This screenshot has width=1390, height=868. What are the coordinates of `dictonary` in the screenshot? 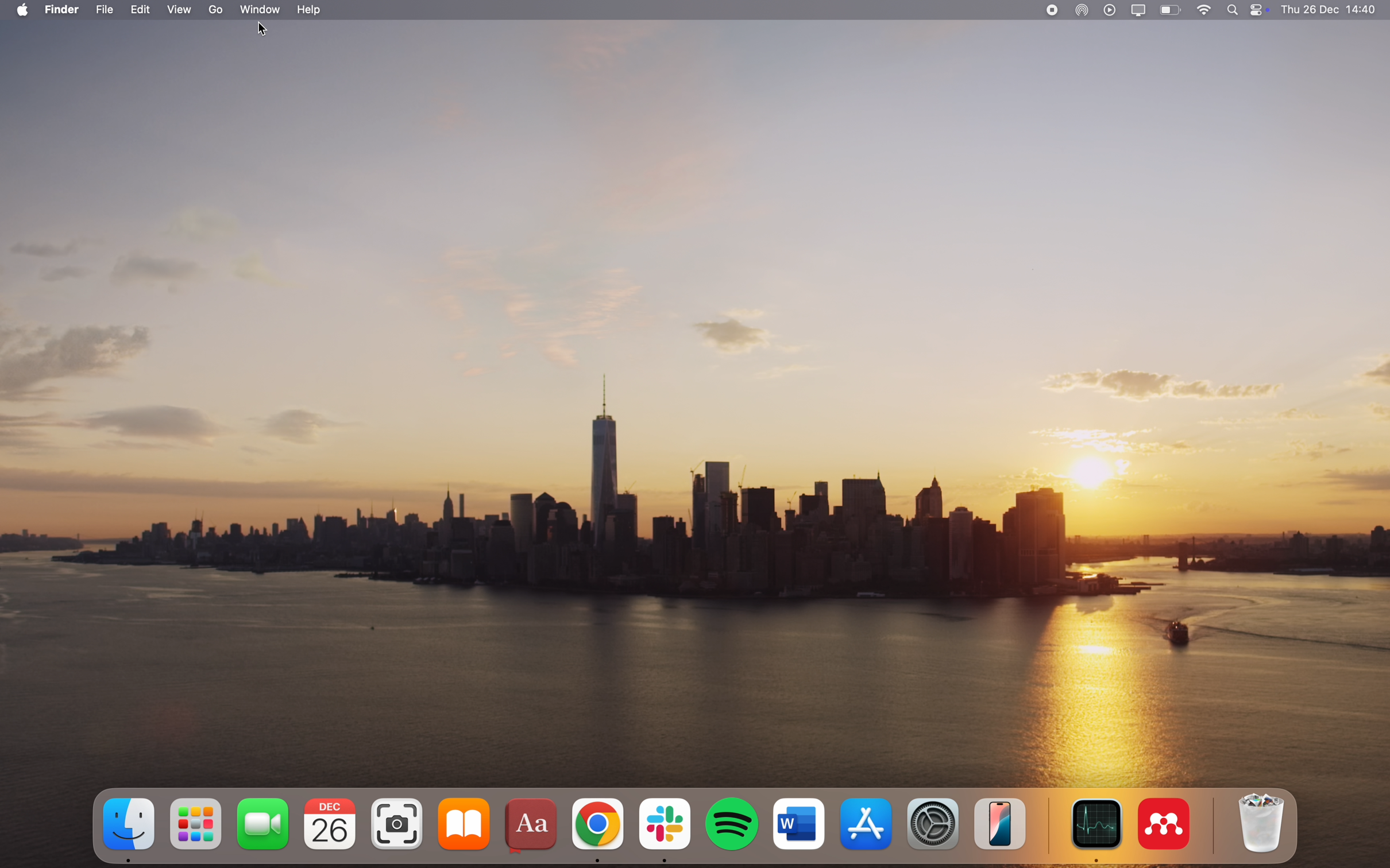 It's located at (532, 827).